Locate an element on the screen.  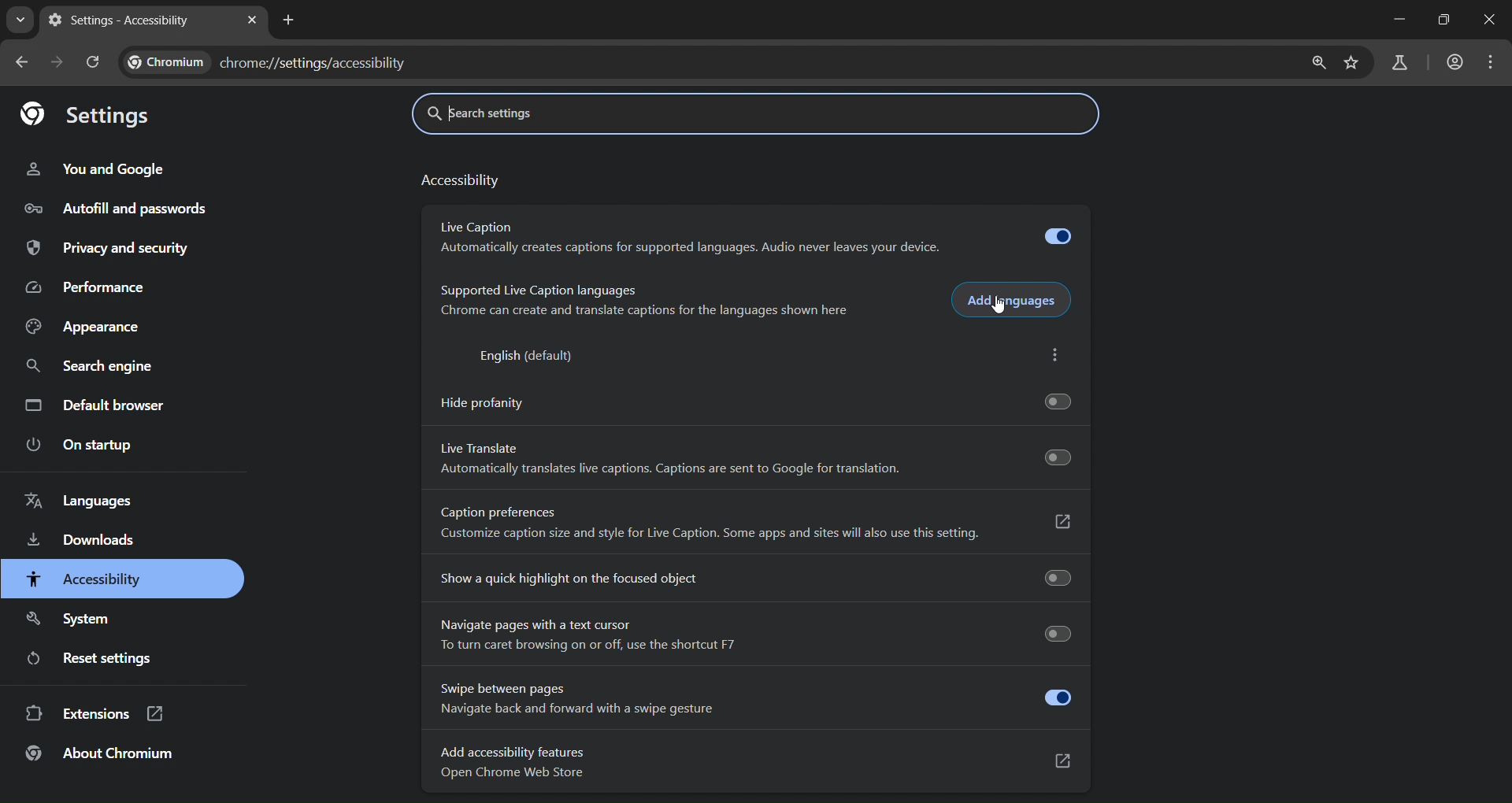
performance is located at coordinates (91, 285).